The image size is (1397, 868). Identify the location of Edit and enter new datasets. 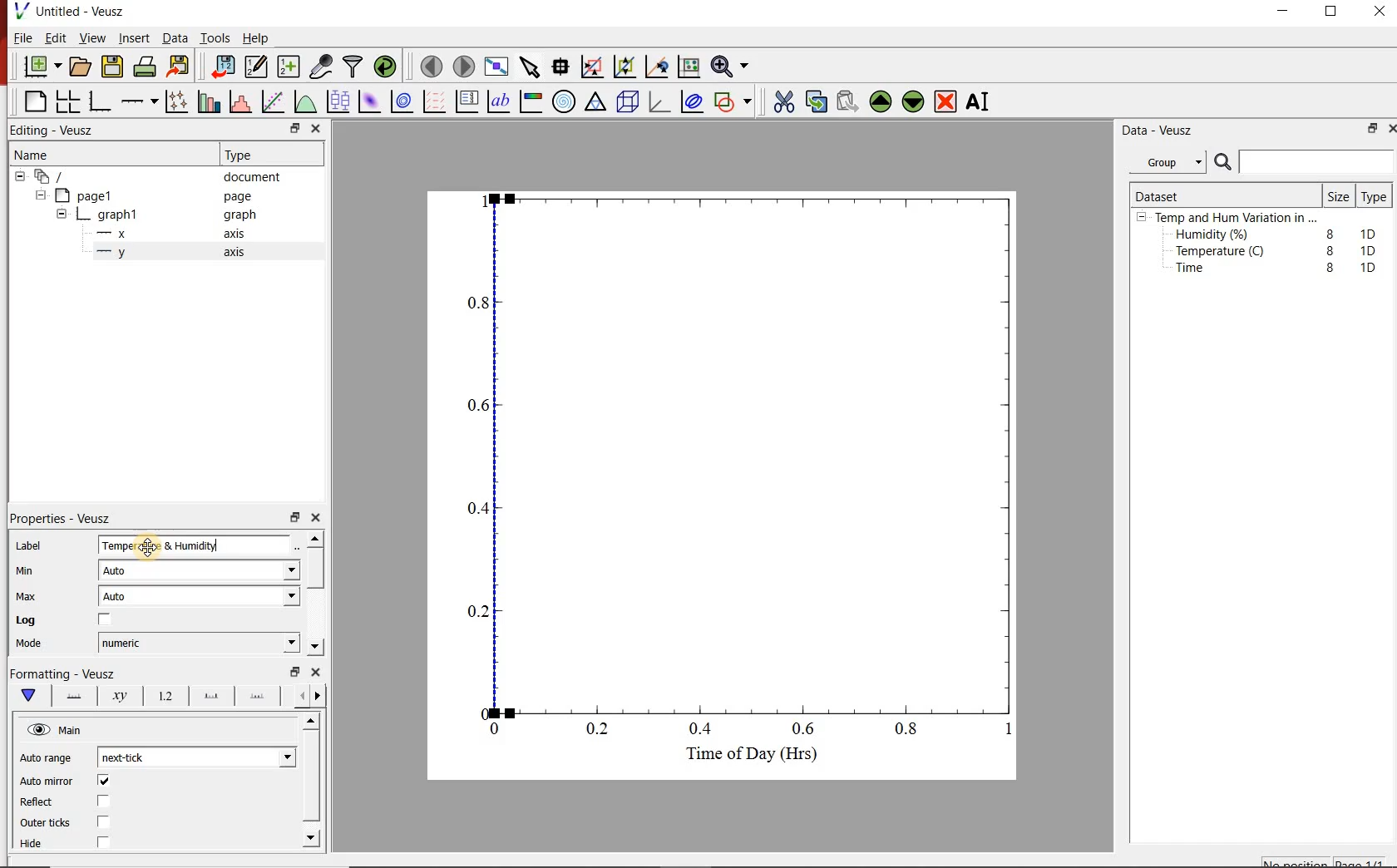
(257, 67).